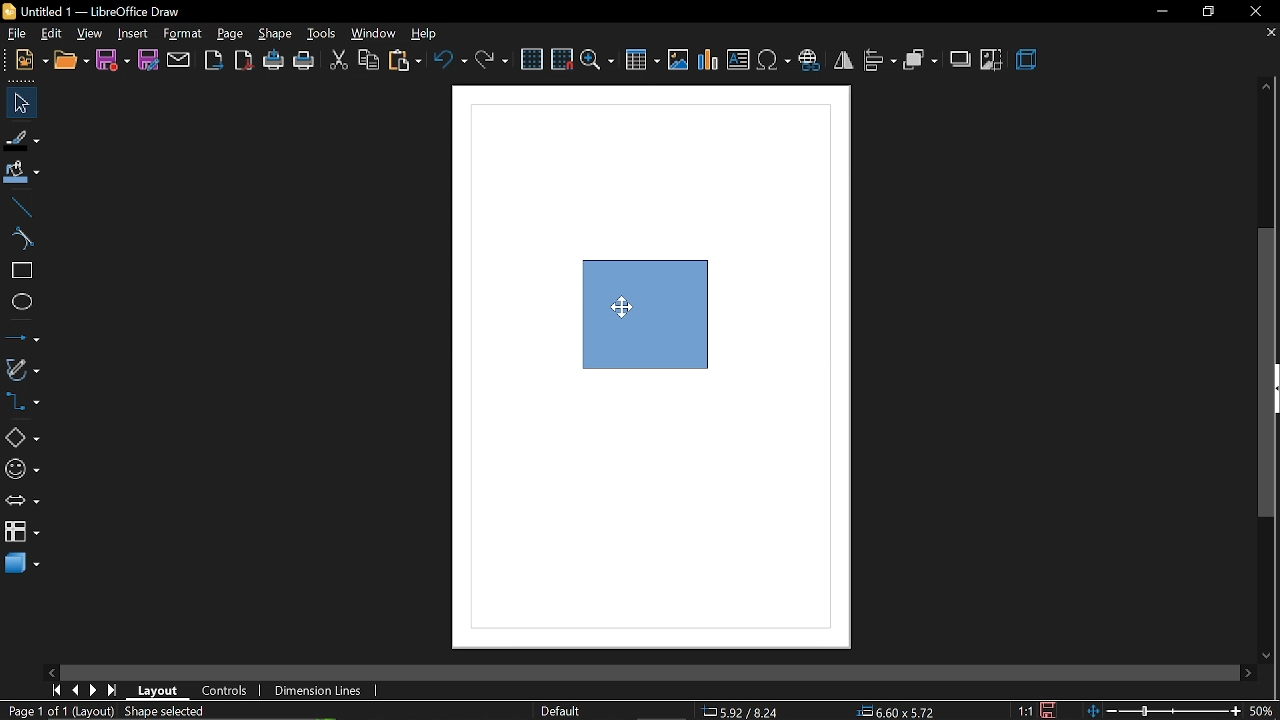 The image size is (1280, 720). Describe the element at coordinates (56, 690) in the screenshot. I see `go to first page` at that location.